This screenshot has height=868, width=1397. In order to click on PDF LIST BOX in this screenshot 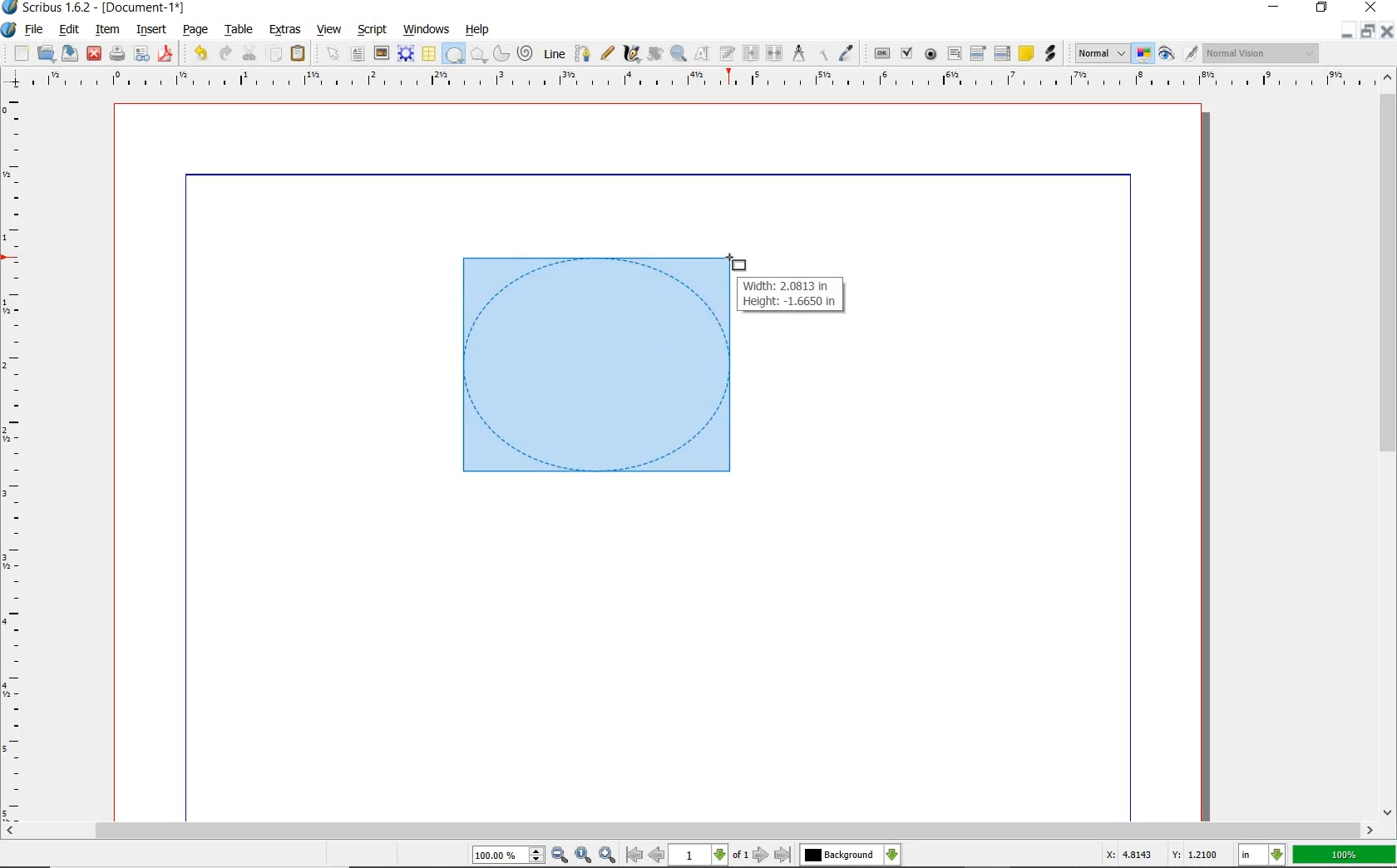, I will do `click(1004, 53)`.